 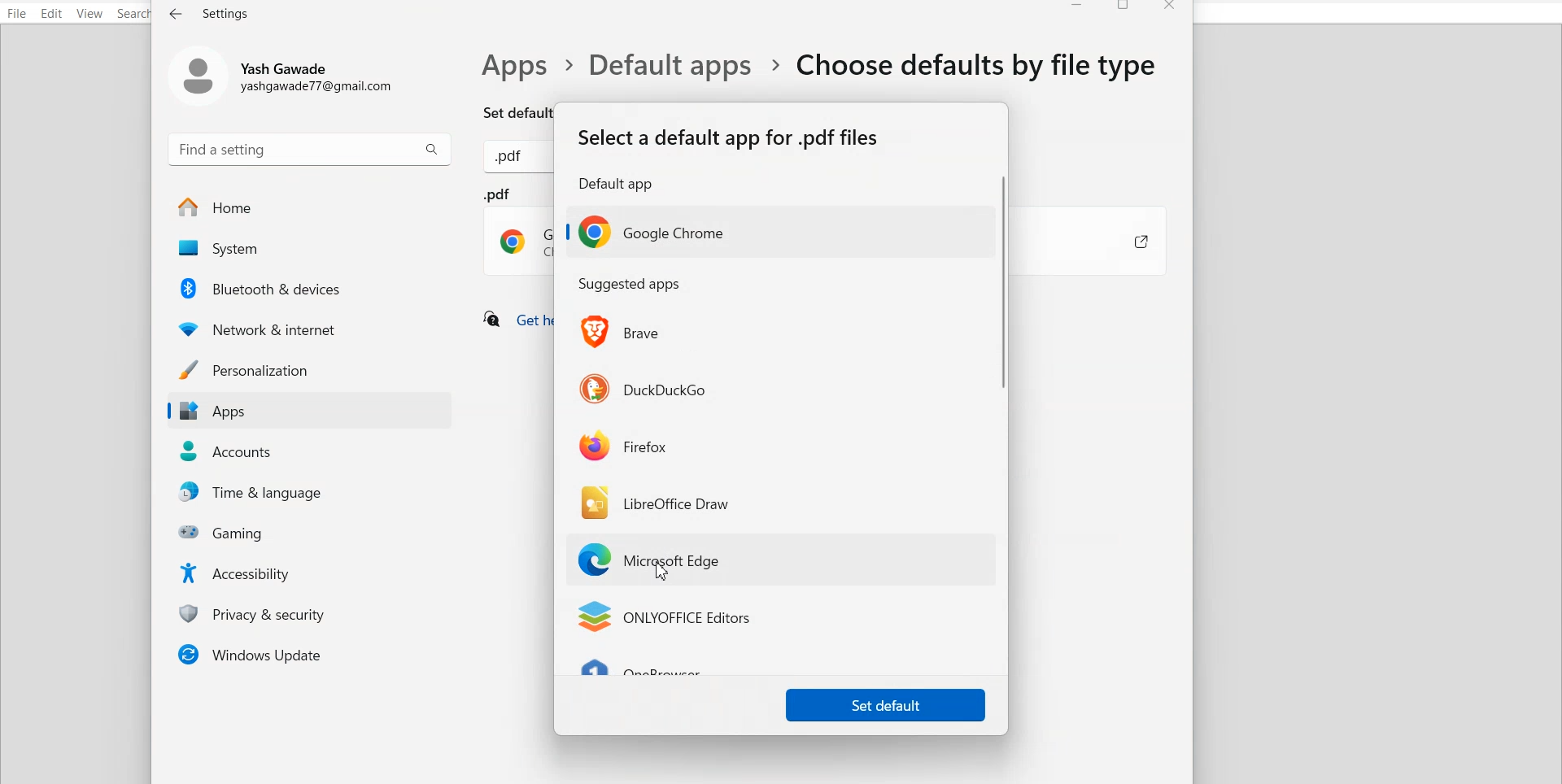 I want to click on File, so click(x=17, y=13).